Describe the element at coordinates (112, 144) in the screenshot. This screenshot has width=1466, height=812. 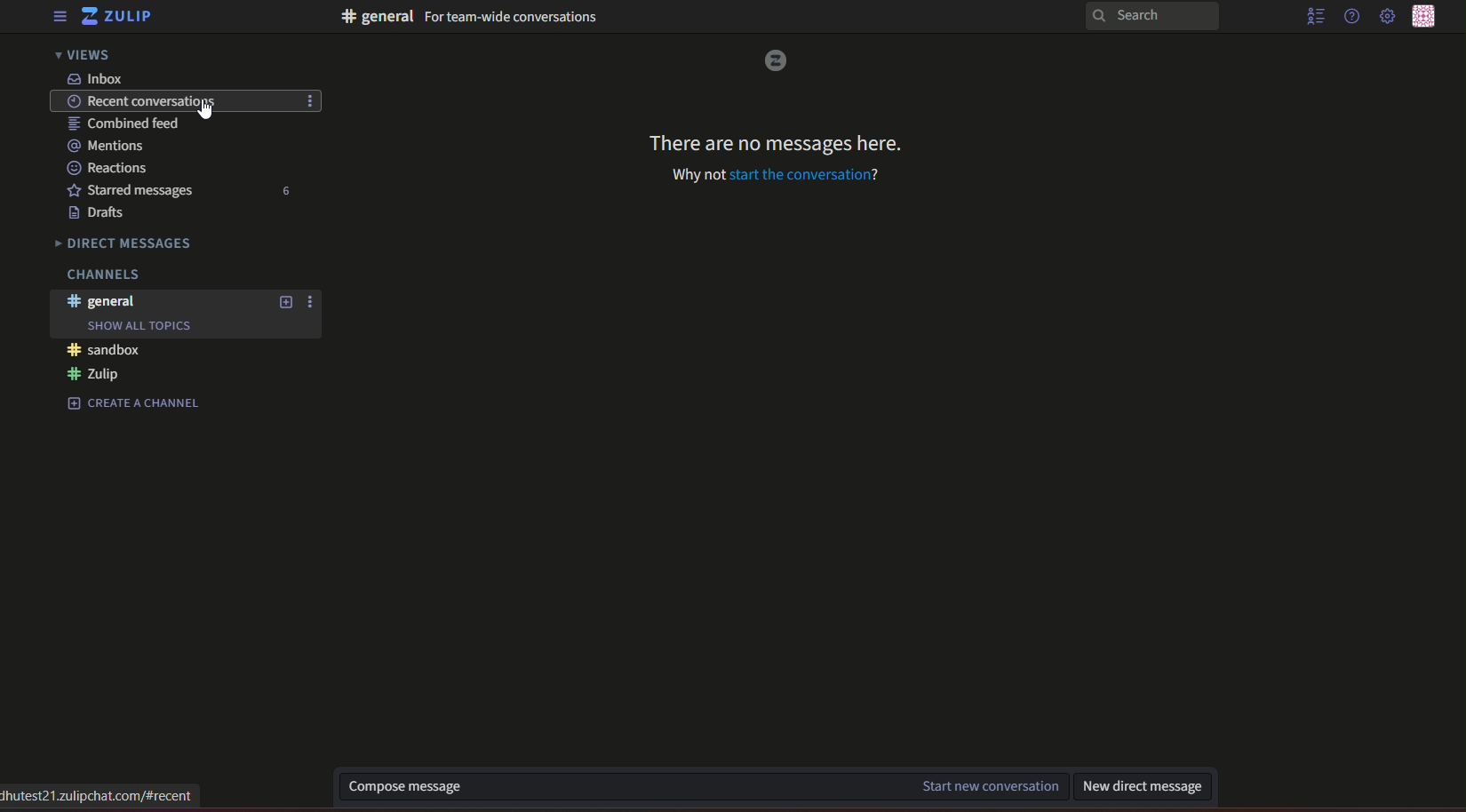
I see `mentions` at that location.